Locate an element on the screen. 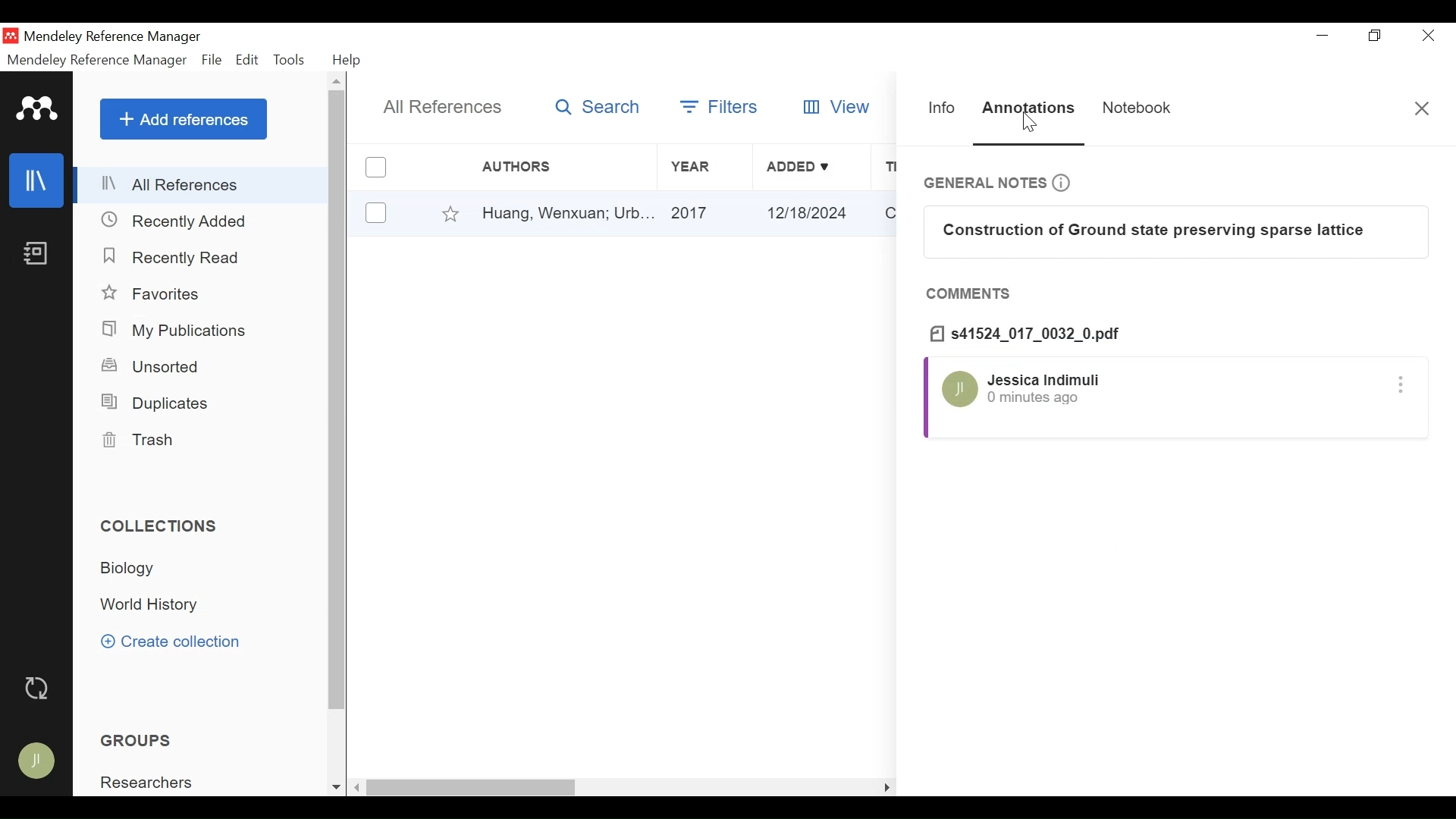 The width and height of the screenshot is (1456, 819). Notebook is located at coordinates (1131, 108).